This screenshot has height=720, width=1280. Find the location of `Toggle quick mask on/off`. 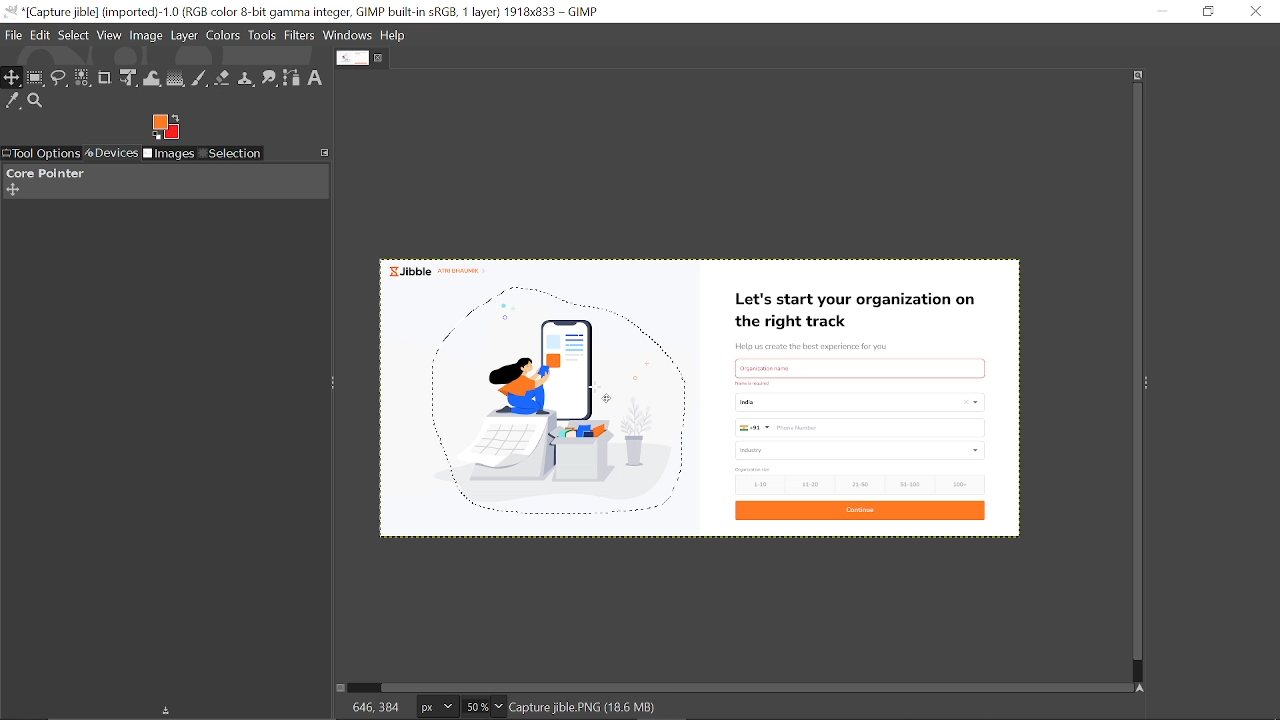

Toggle quick mask on/off is located at coordinates (339, 688).